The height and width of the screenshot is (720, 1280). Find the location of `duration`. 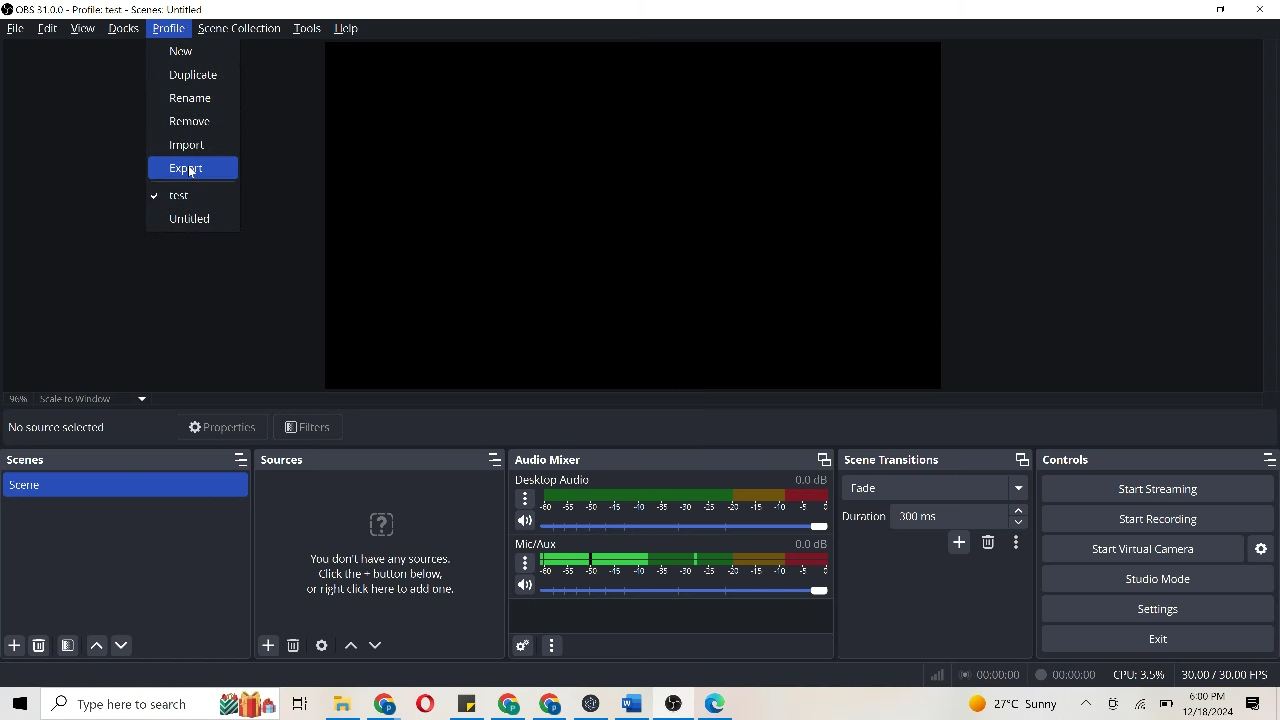

duration is located at coordinates (863, 518).